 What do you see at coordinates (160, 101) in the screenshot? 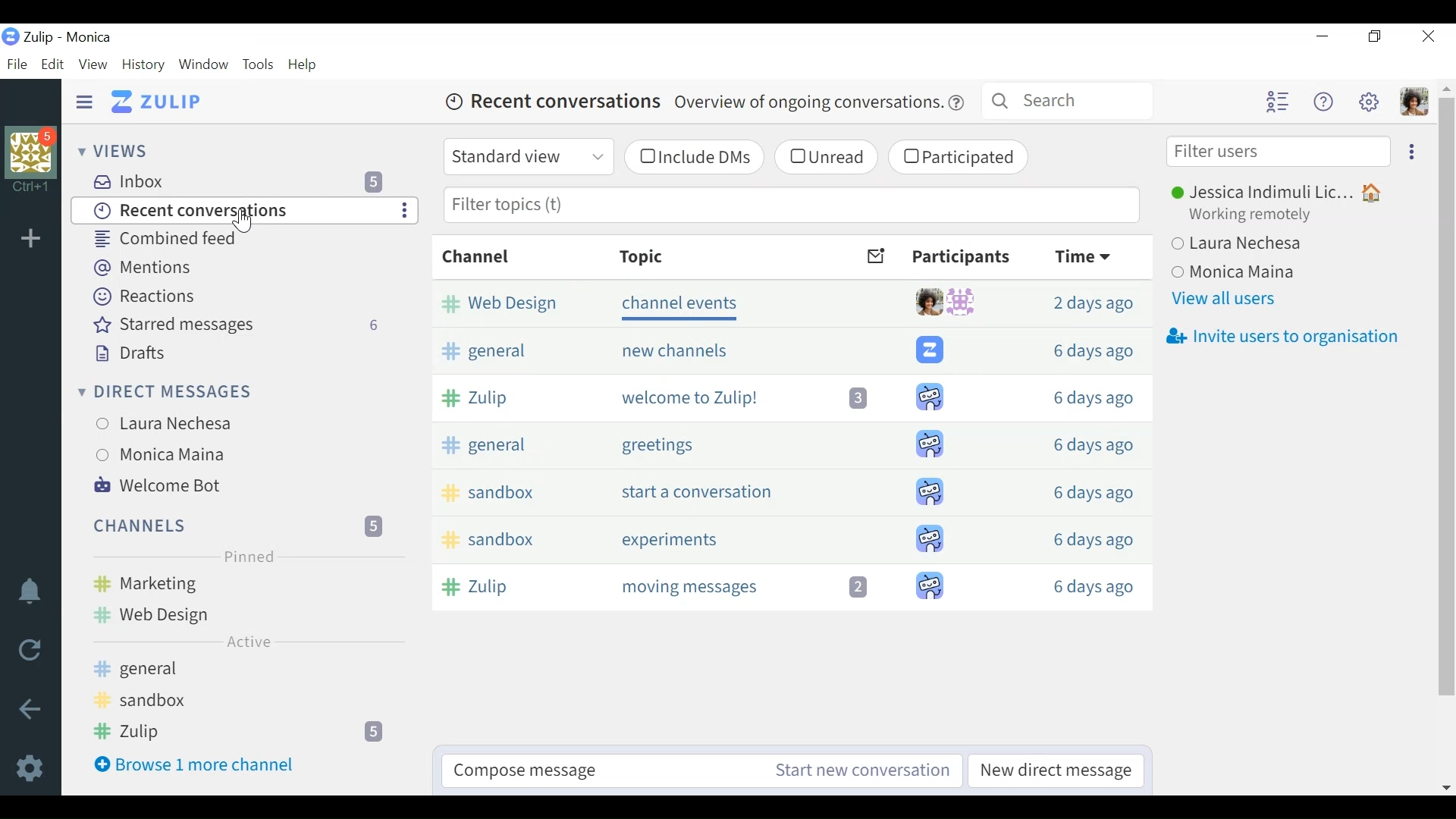
I see `Go to Home View` at bounding box center [160, 101].